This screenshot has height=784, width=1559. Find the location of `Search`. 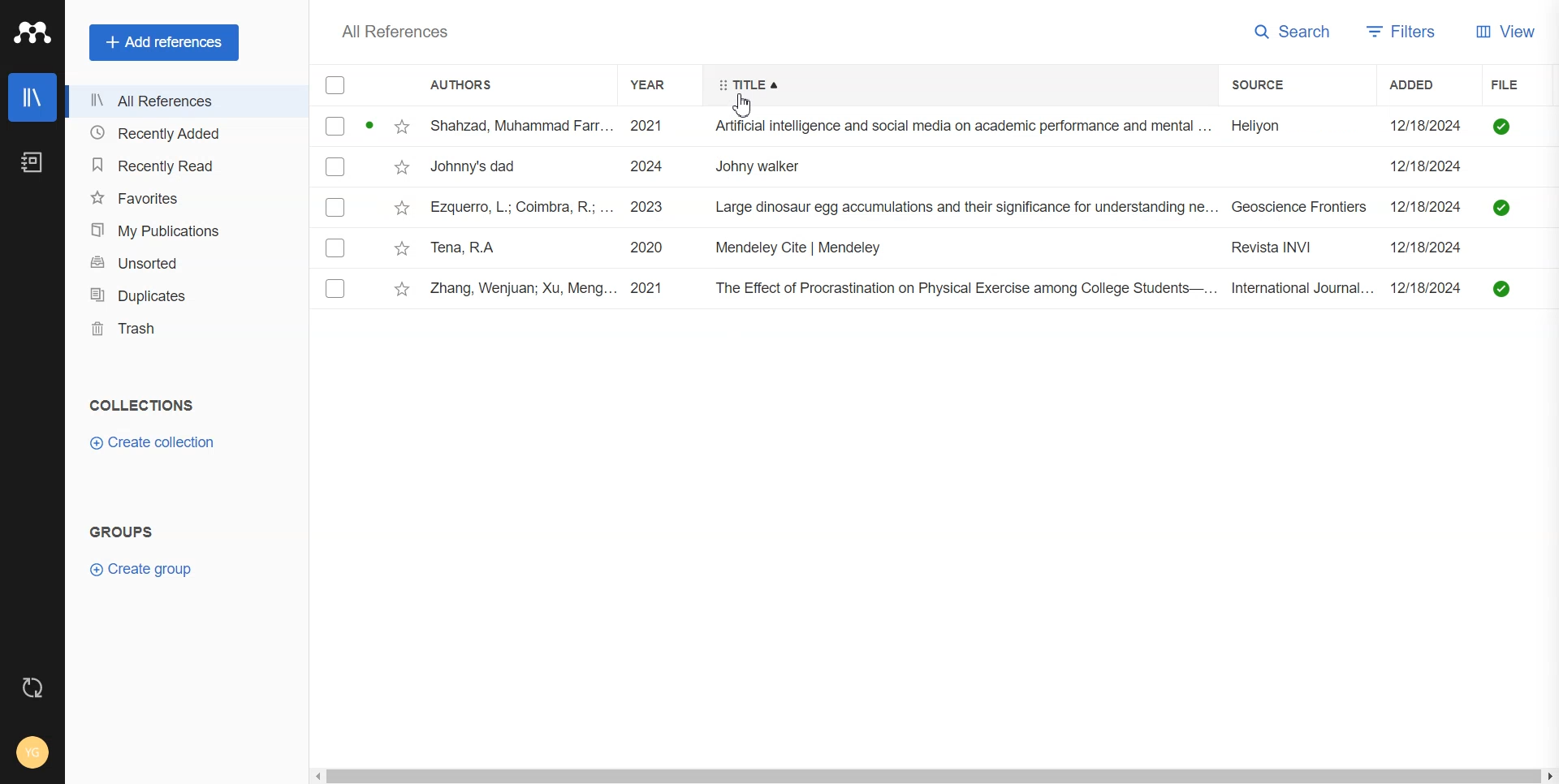

Search is located at coordinates (1295, 30).